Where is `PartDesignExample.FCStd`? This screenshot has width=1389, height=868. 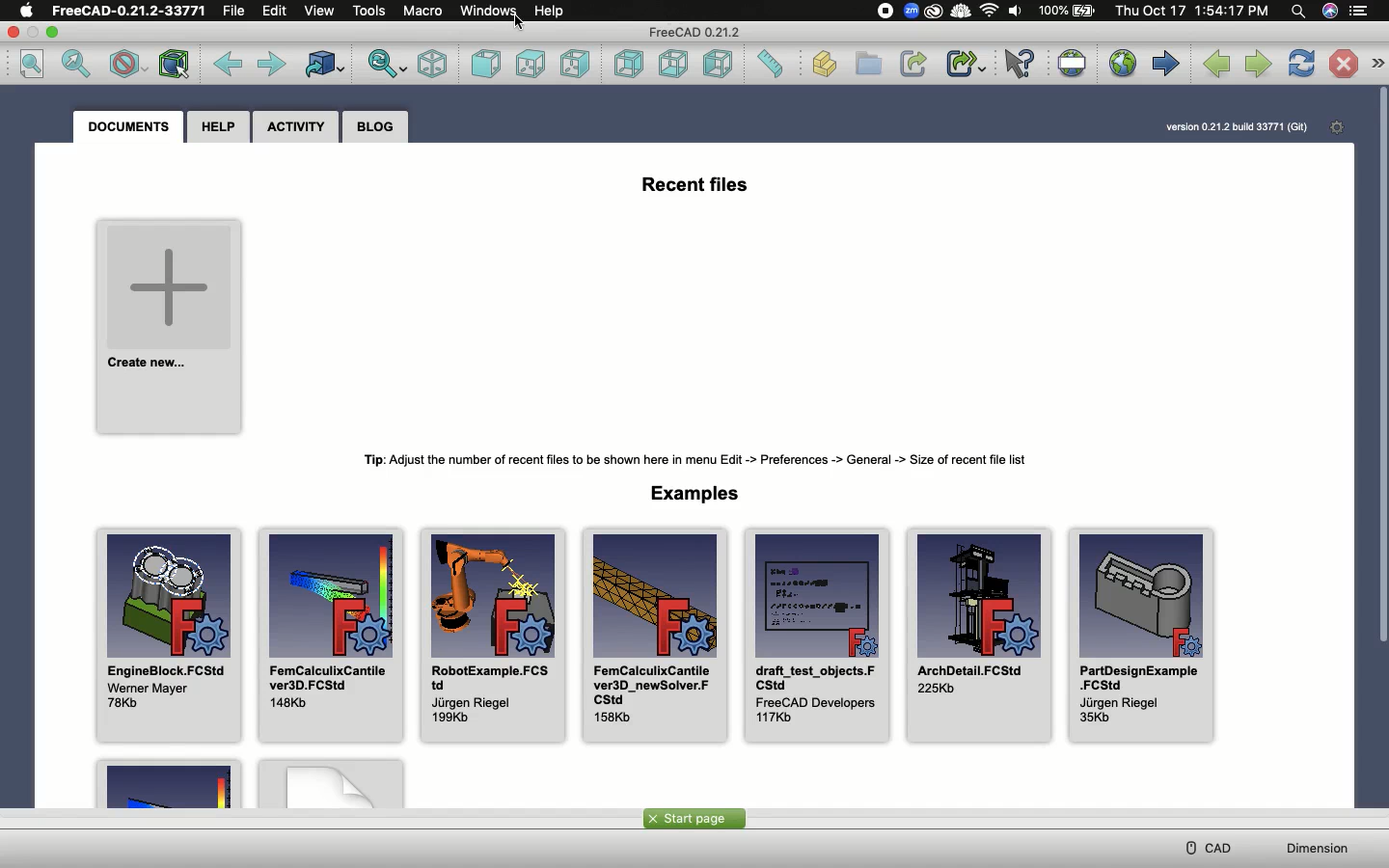
PartDesignExample.FCStd is located at coordinates (1145, 636).